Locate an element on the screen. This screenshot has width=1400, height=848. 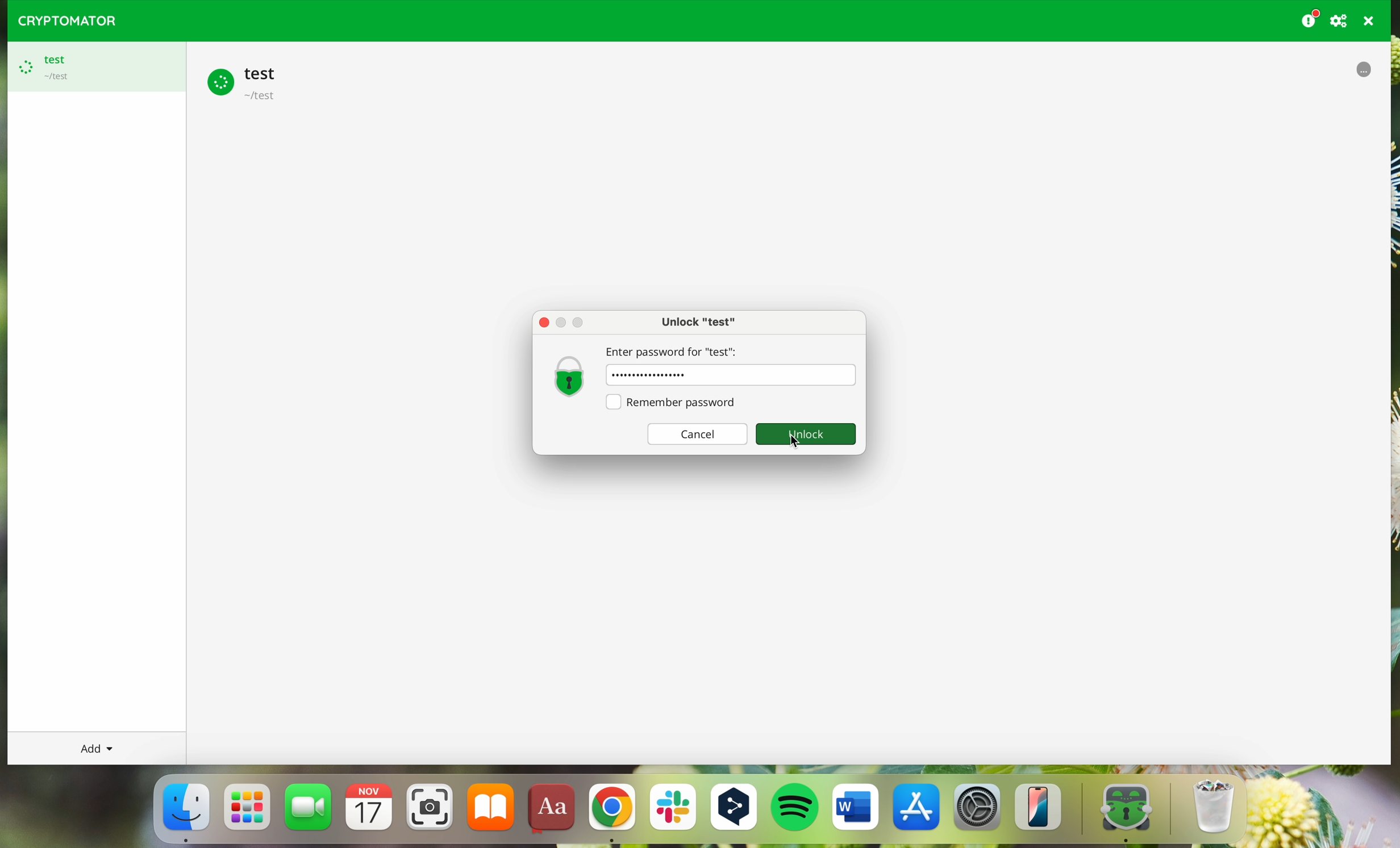
trash is located at coordinates (1211, 811).